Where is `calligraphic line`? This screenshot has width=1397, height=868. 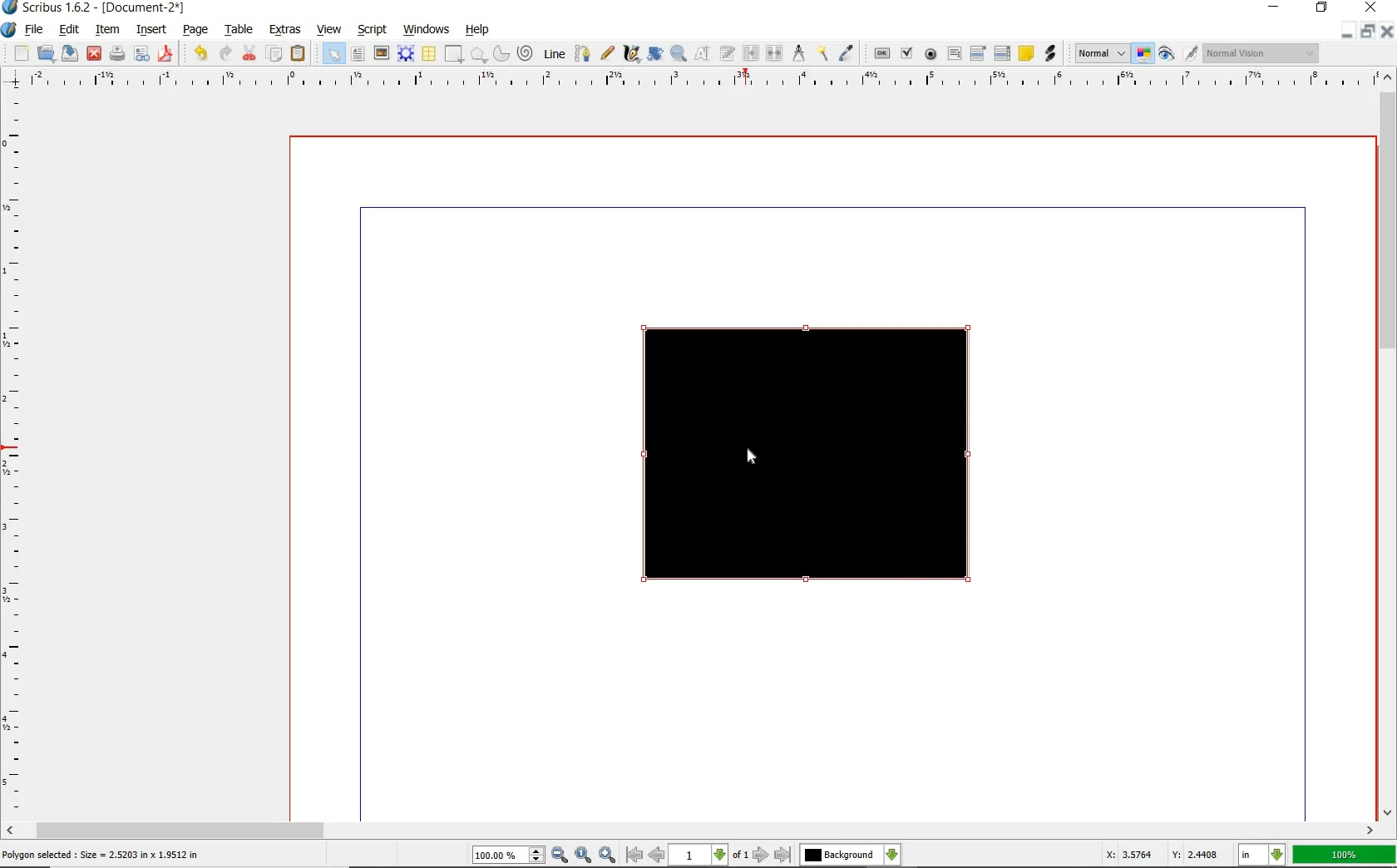 calligraphic line is located at coordinates (631, 54).